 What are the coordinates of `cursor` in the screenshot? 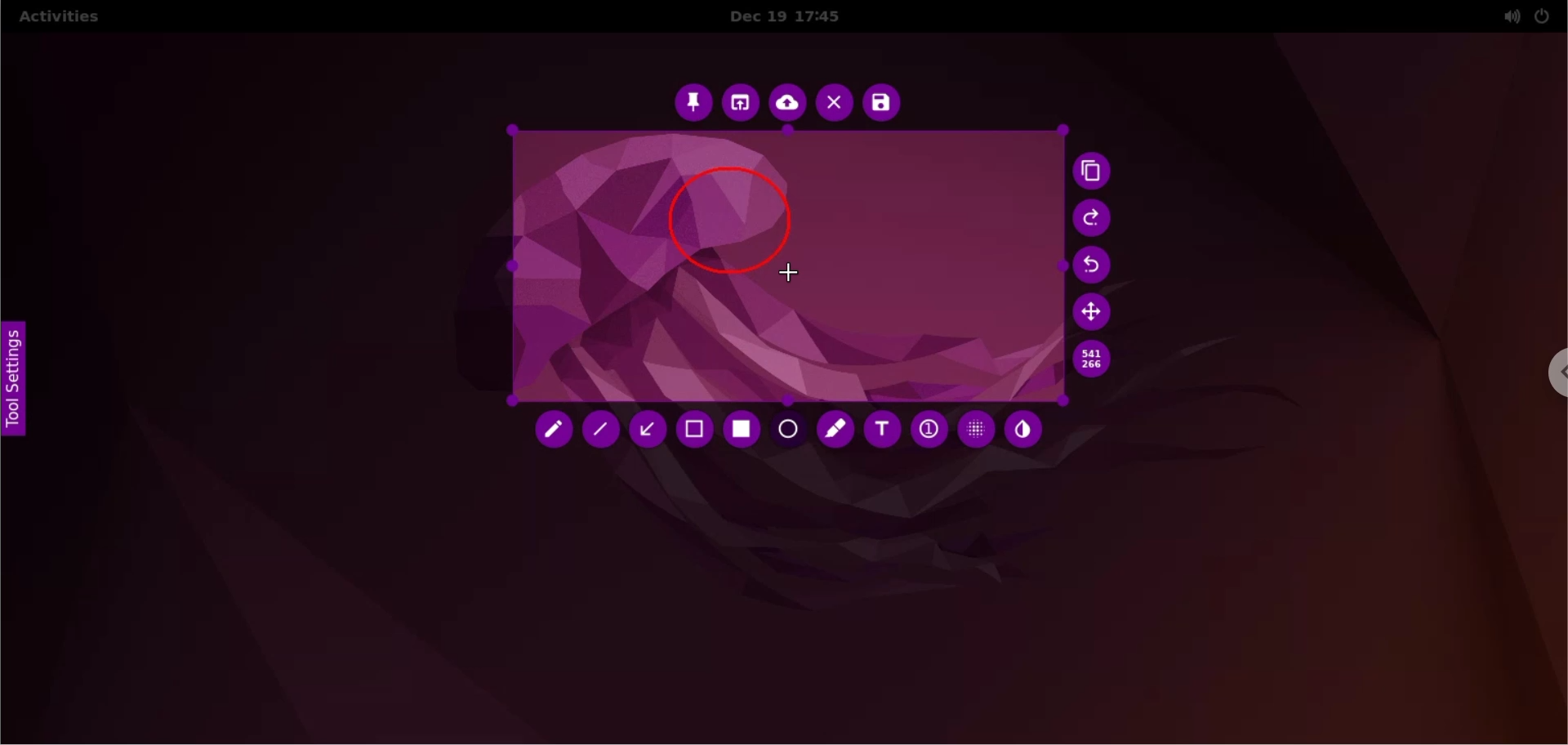 It's located at (791, 274).